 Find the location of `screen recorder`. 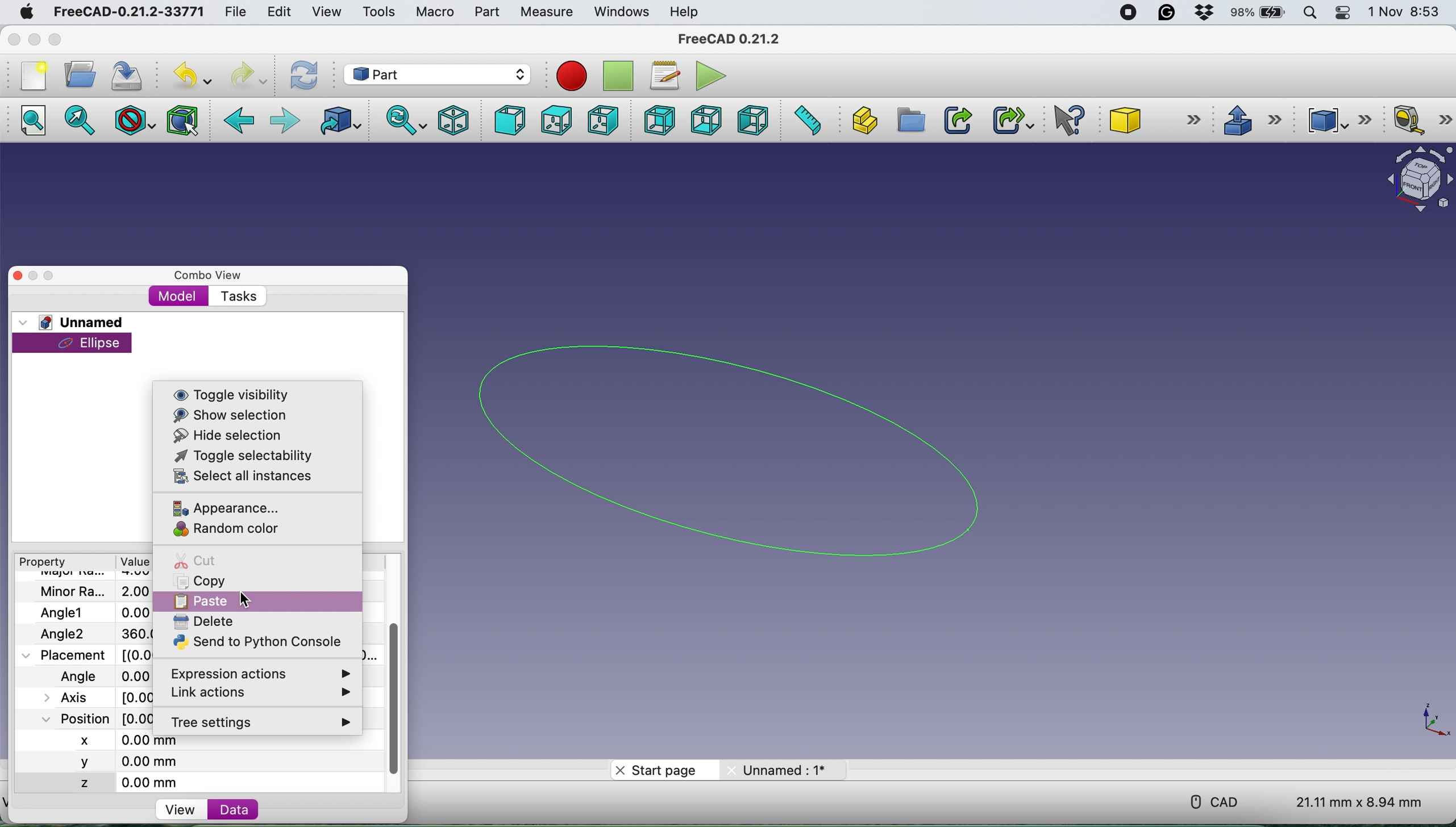

screen recorder is located at coordinates (1130, 12).